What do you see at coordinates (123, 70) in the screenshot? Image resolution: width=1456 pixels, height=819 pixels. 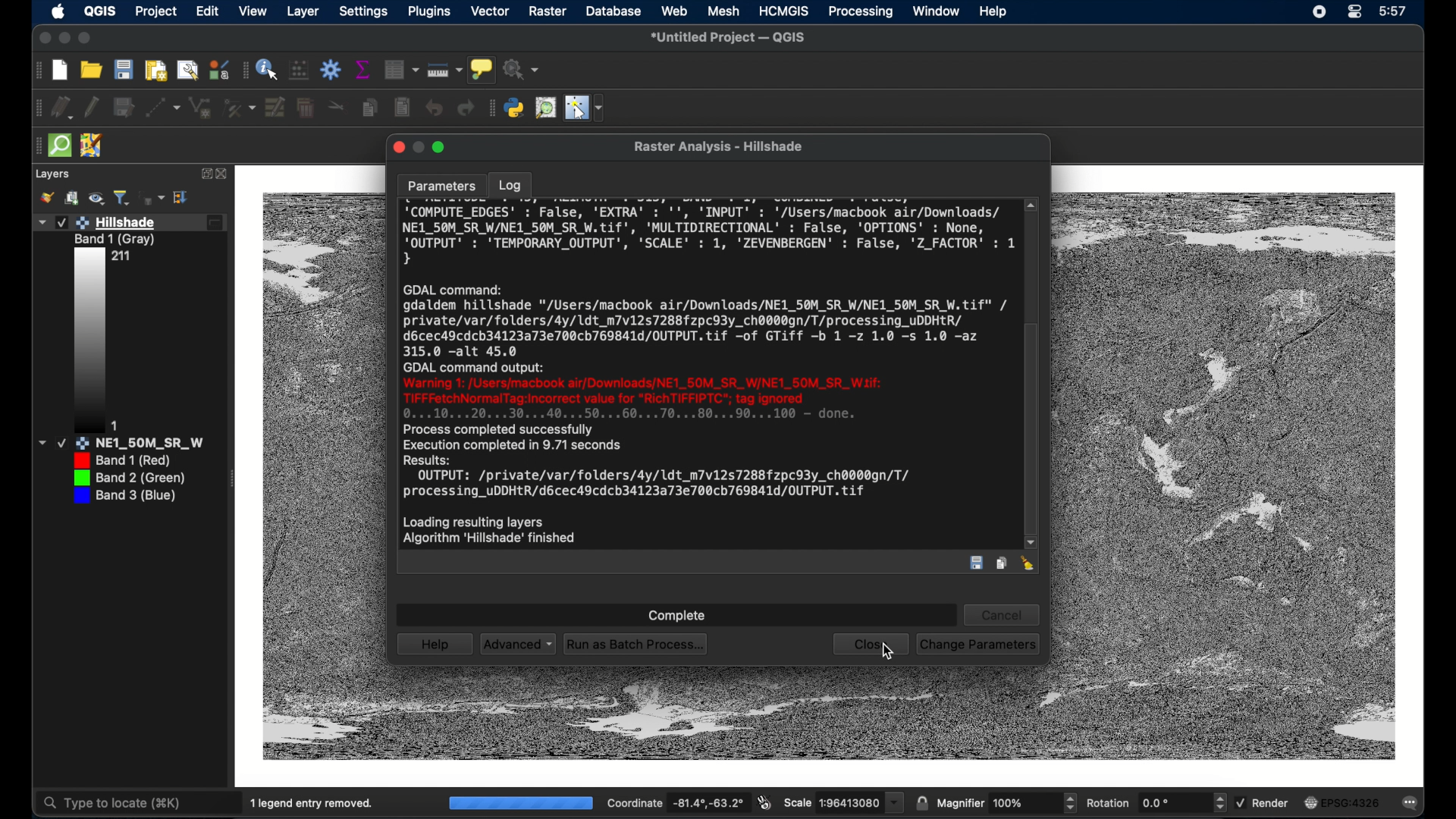 I see `save` at bounding box center [123, 70].